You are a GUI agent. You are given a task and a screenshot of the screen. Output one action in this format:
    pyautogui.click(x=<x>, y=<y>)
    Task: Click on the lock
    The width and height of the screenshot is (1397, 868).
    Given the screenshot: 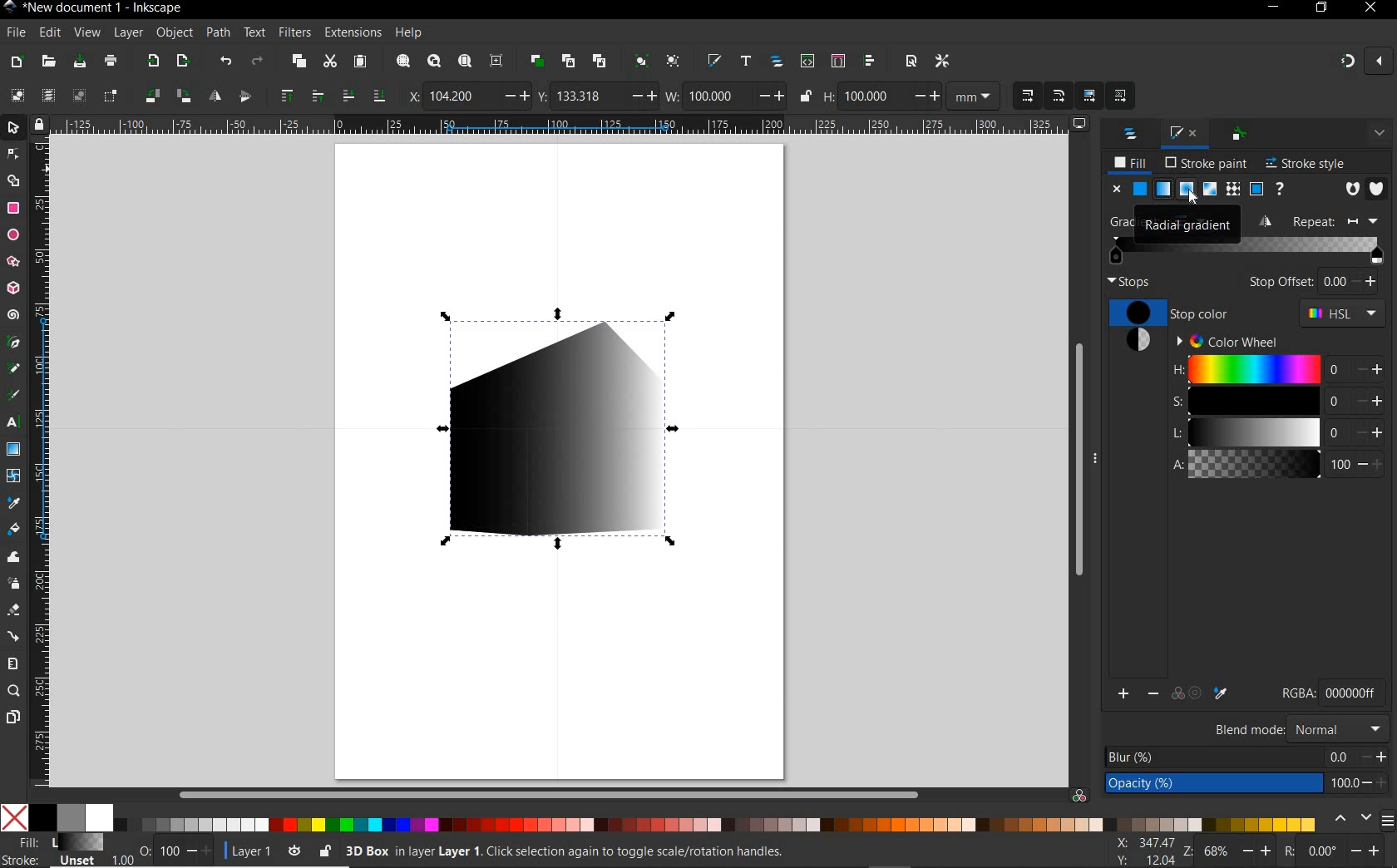 What is the action you would take?
    pyautogui.click(x=37, y=123)
    